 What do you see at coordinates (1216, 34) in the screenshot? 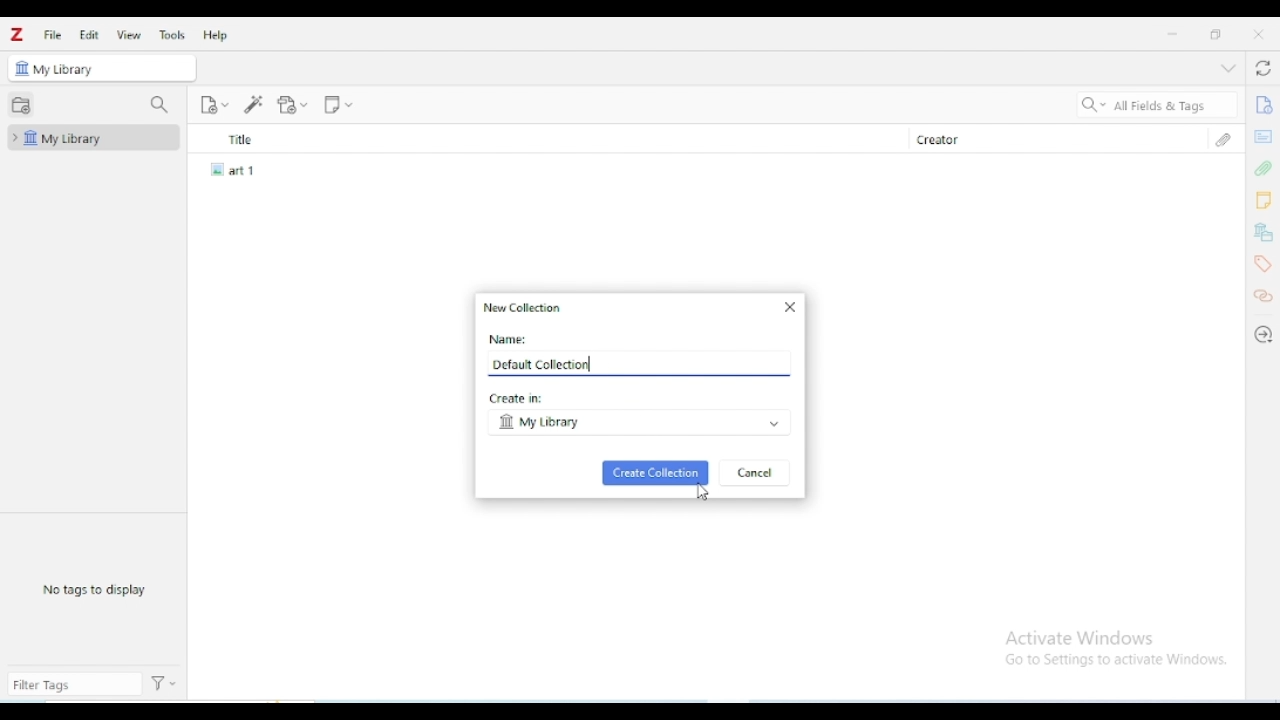
I see `maximize` at bounding box center [1216, 34].